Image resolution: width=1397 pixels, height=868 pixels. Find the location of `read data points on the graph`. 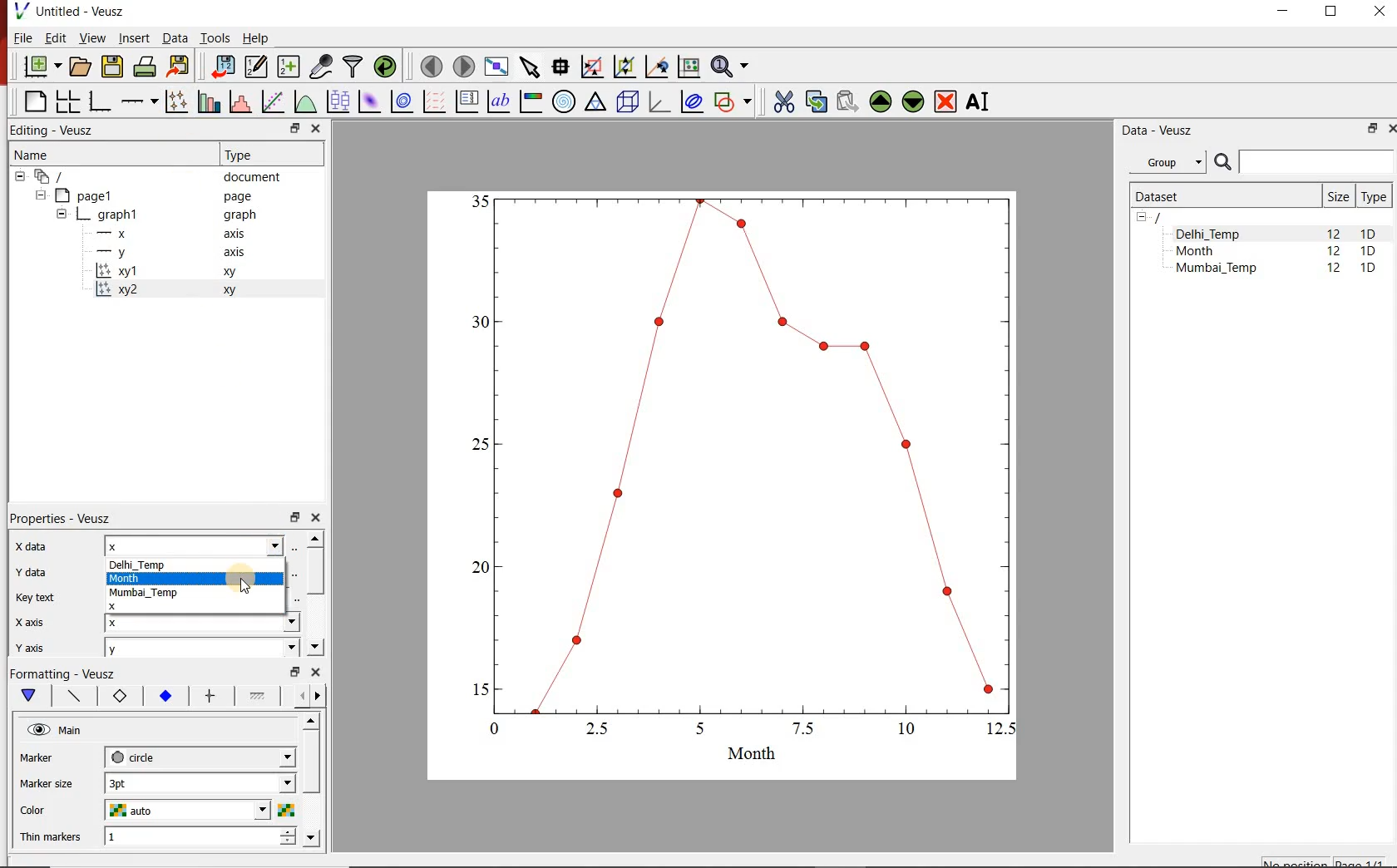

read data points on the graph is located at coordinates (560, 67).